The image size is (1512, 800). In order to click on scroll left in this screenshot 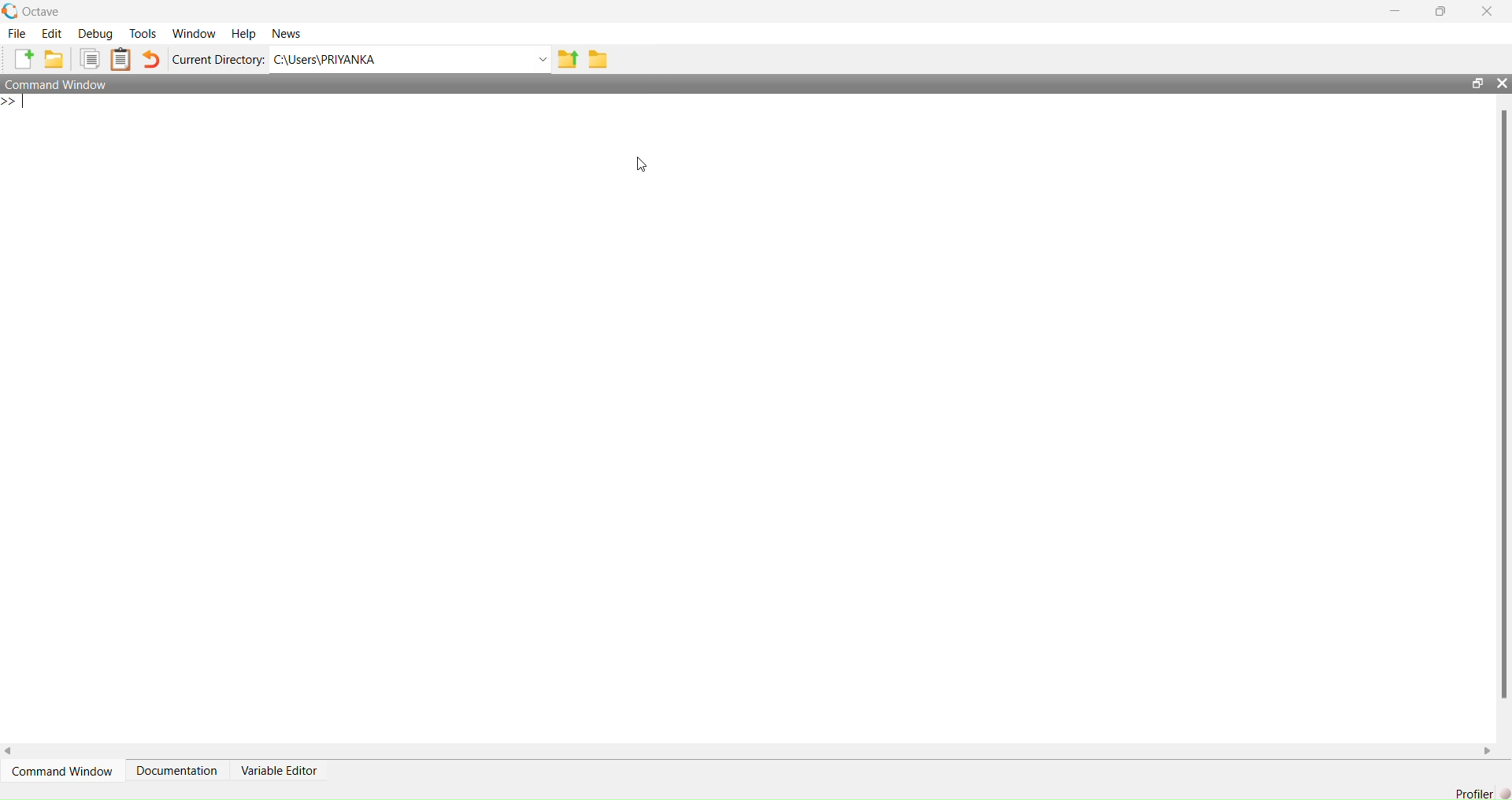, I will do `click(9, 750)`.